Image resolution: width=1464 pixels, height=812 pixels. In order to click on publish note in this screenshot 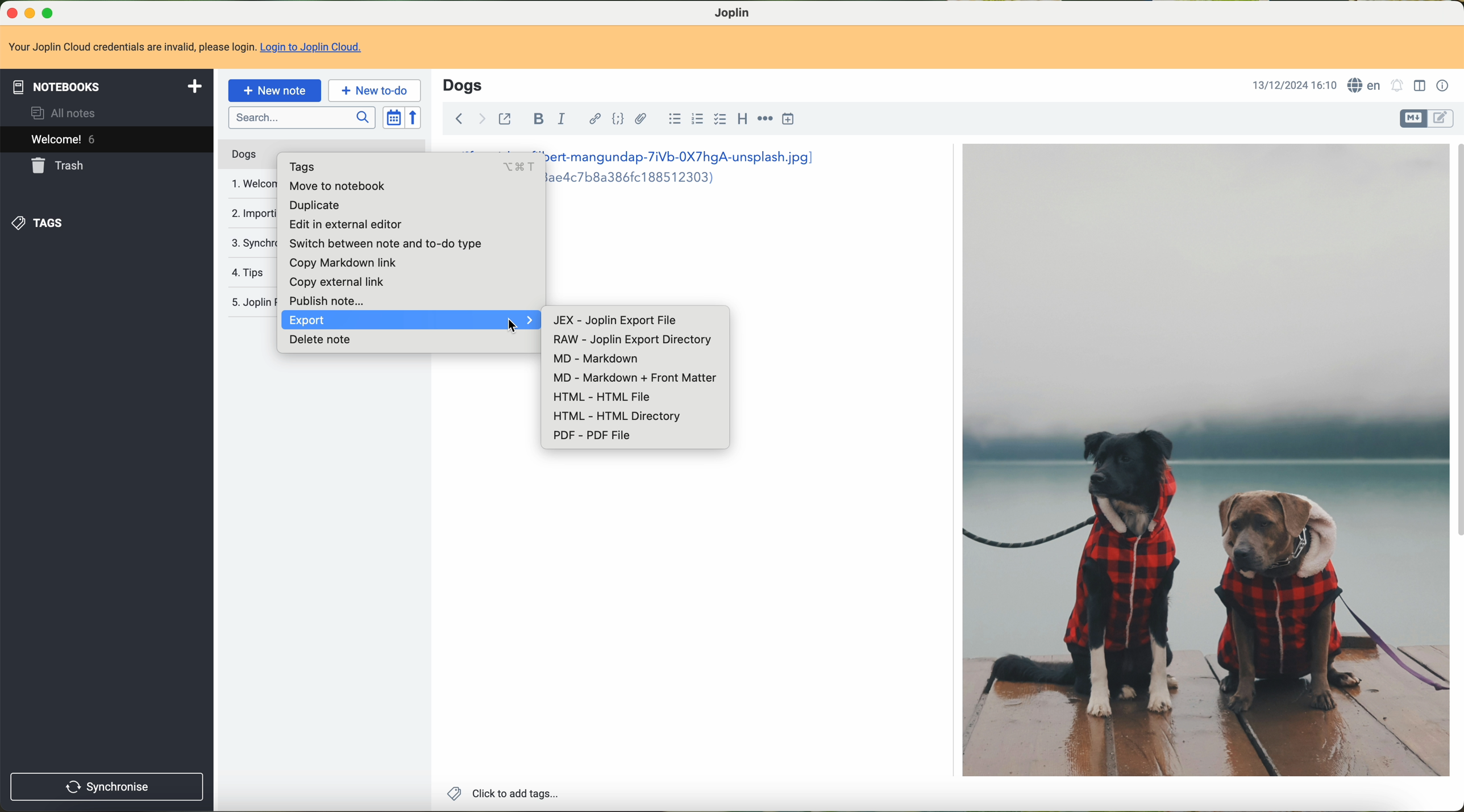, I will do `click(331, 298)`.